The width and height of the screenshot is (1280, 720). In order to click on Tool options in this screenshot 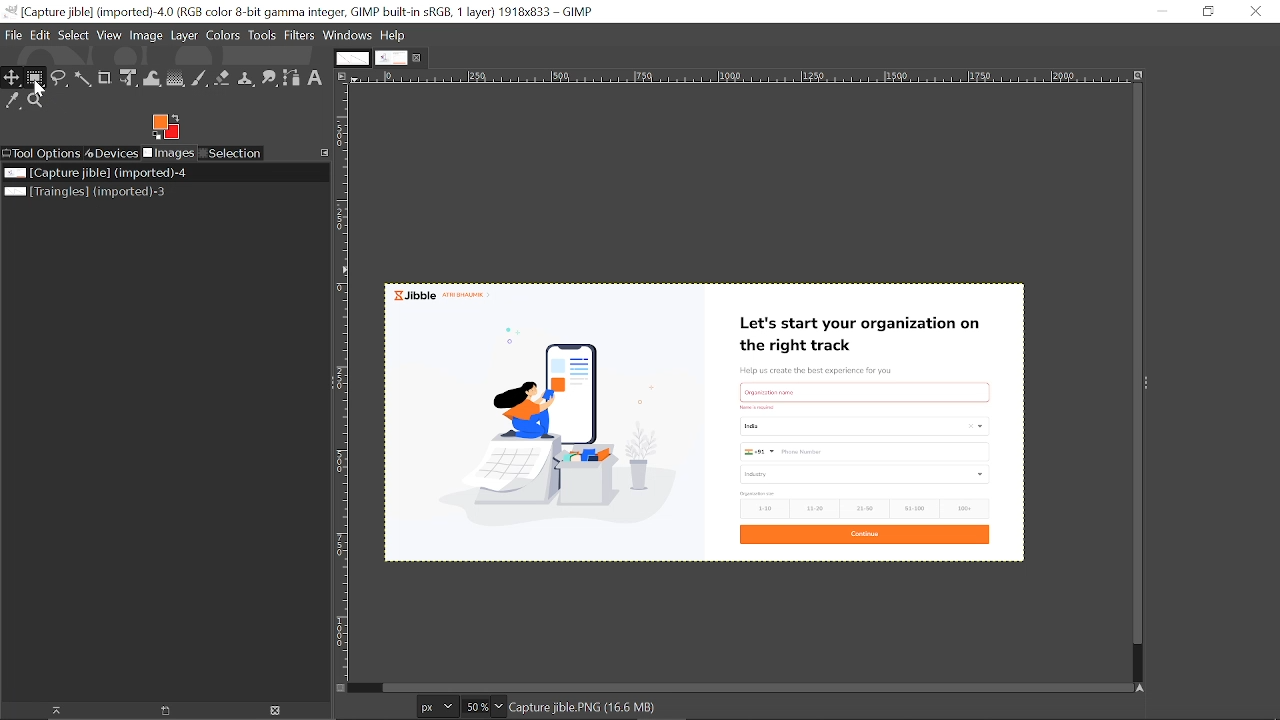, I will do `click(43, 153)`.